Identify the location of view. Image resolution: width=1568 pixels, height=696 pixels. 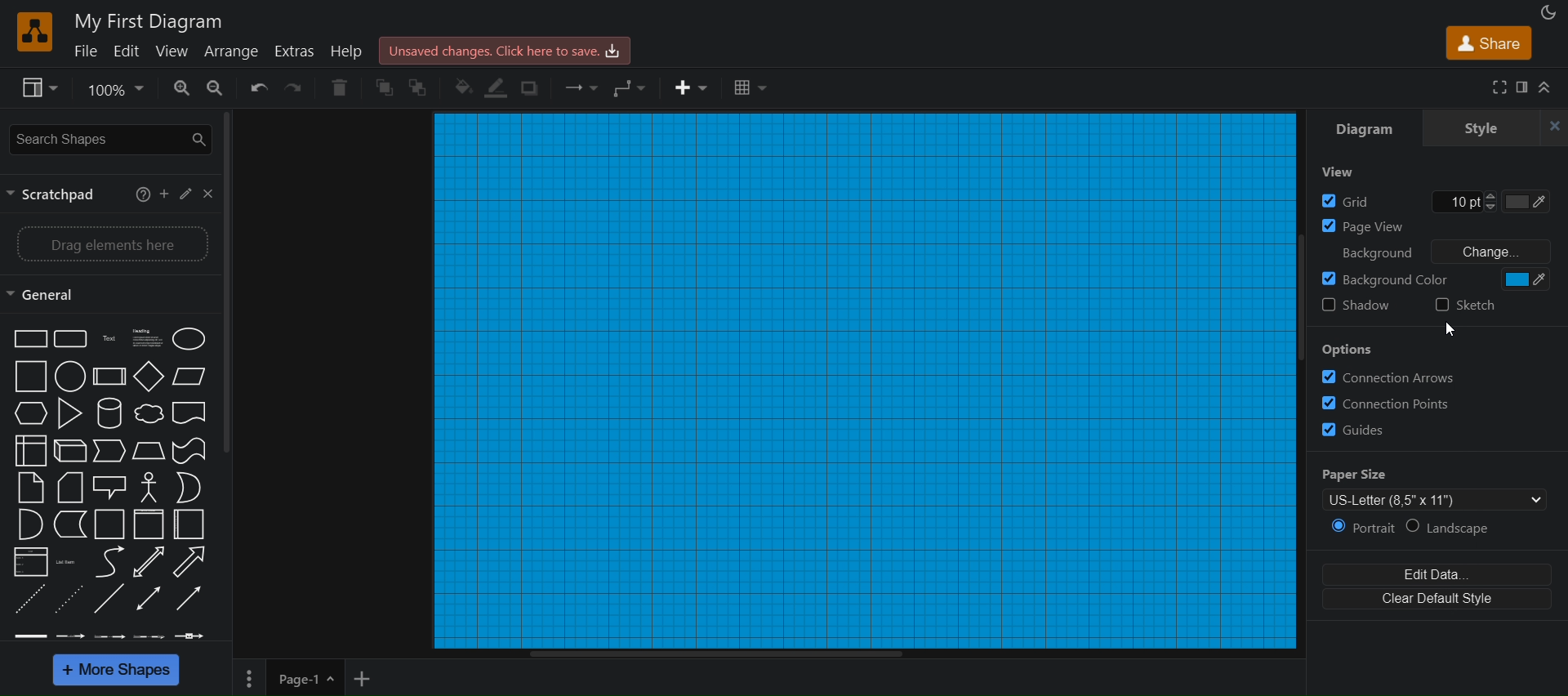
(172, 53).